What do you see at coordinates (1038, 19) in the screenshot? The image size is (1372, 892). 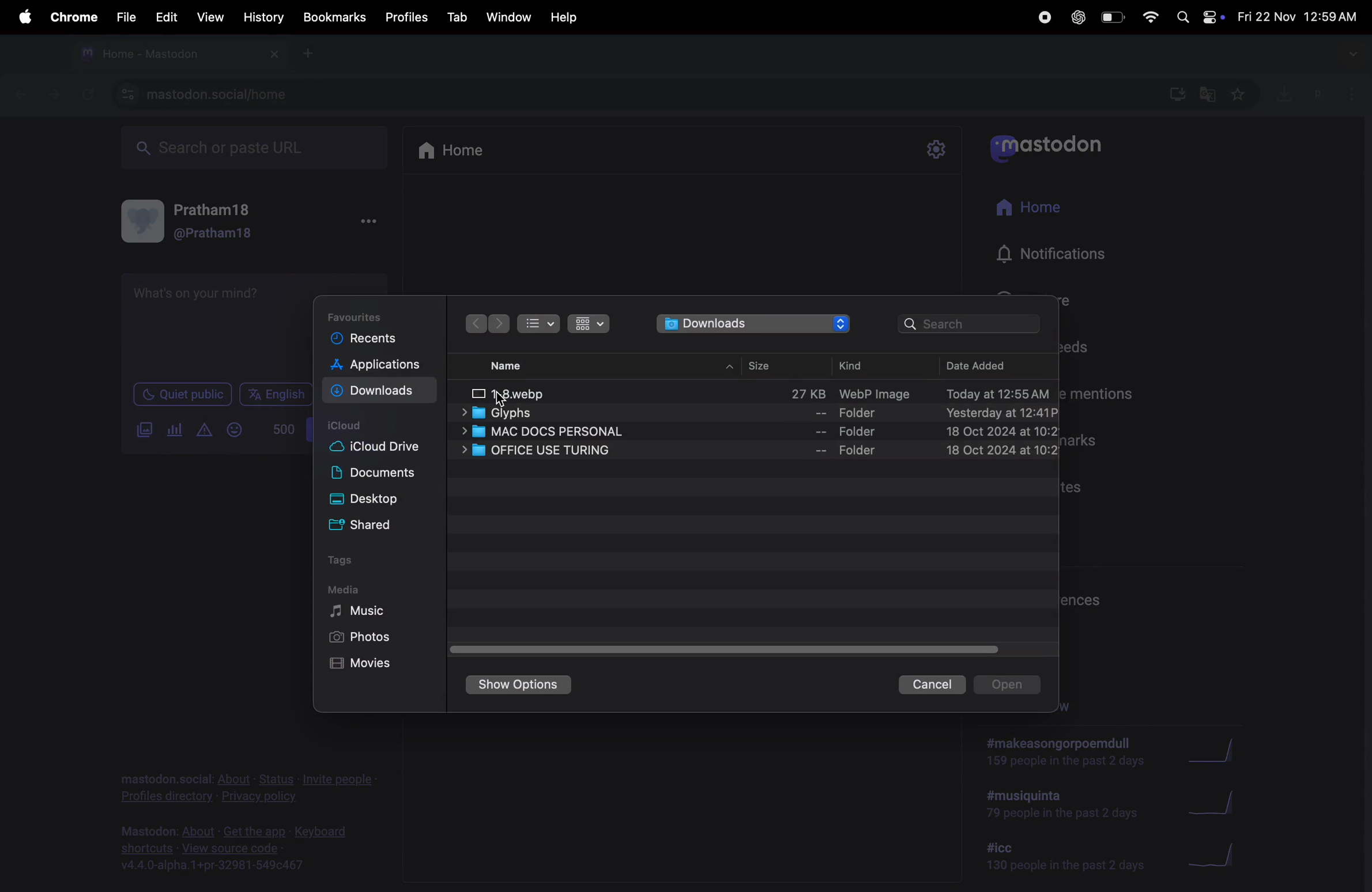 I see `record` at bounding box center [1038, 19].